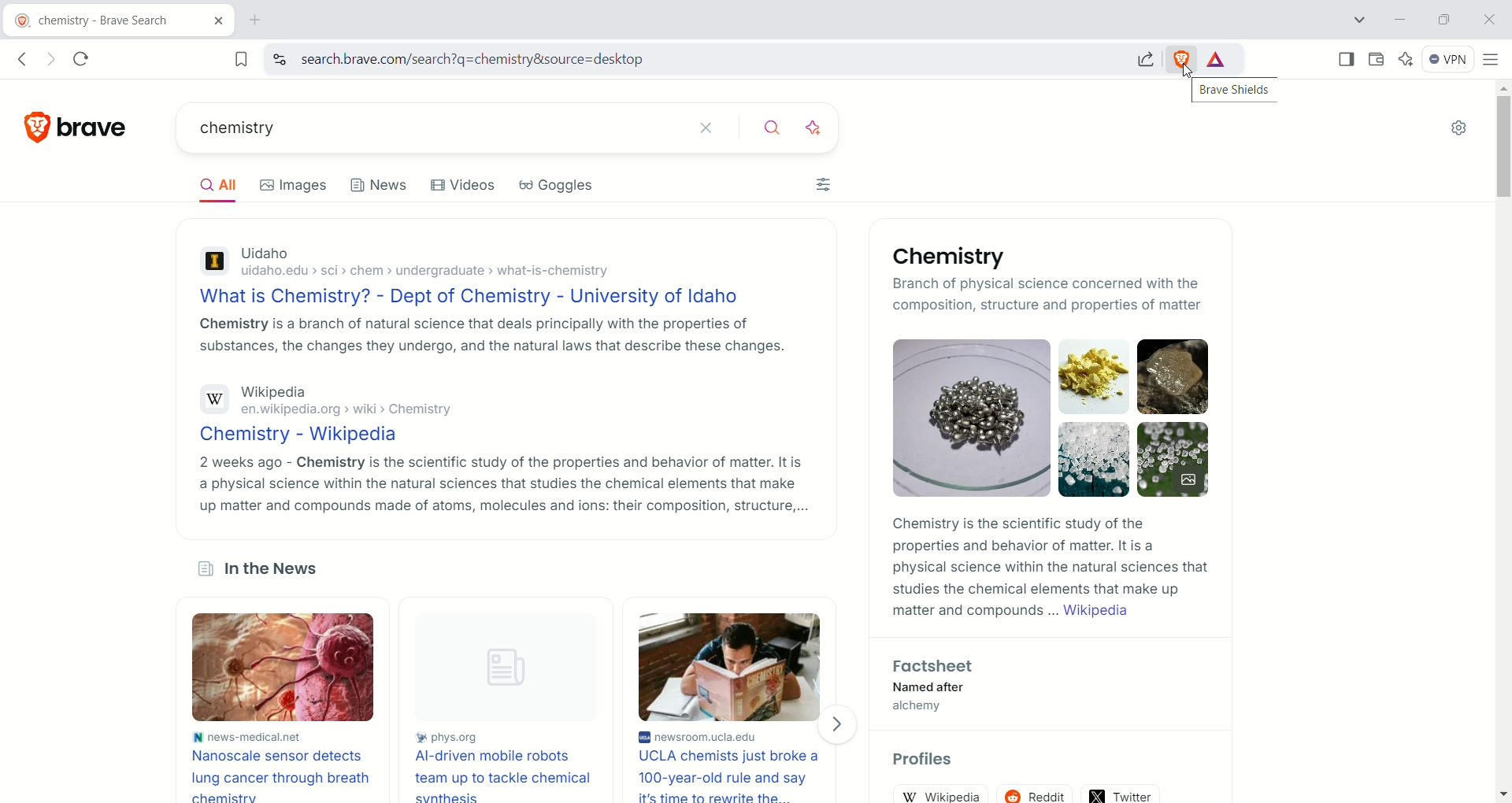  I want to click on news-medical.net, so click(286, 735).